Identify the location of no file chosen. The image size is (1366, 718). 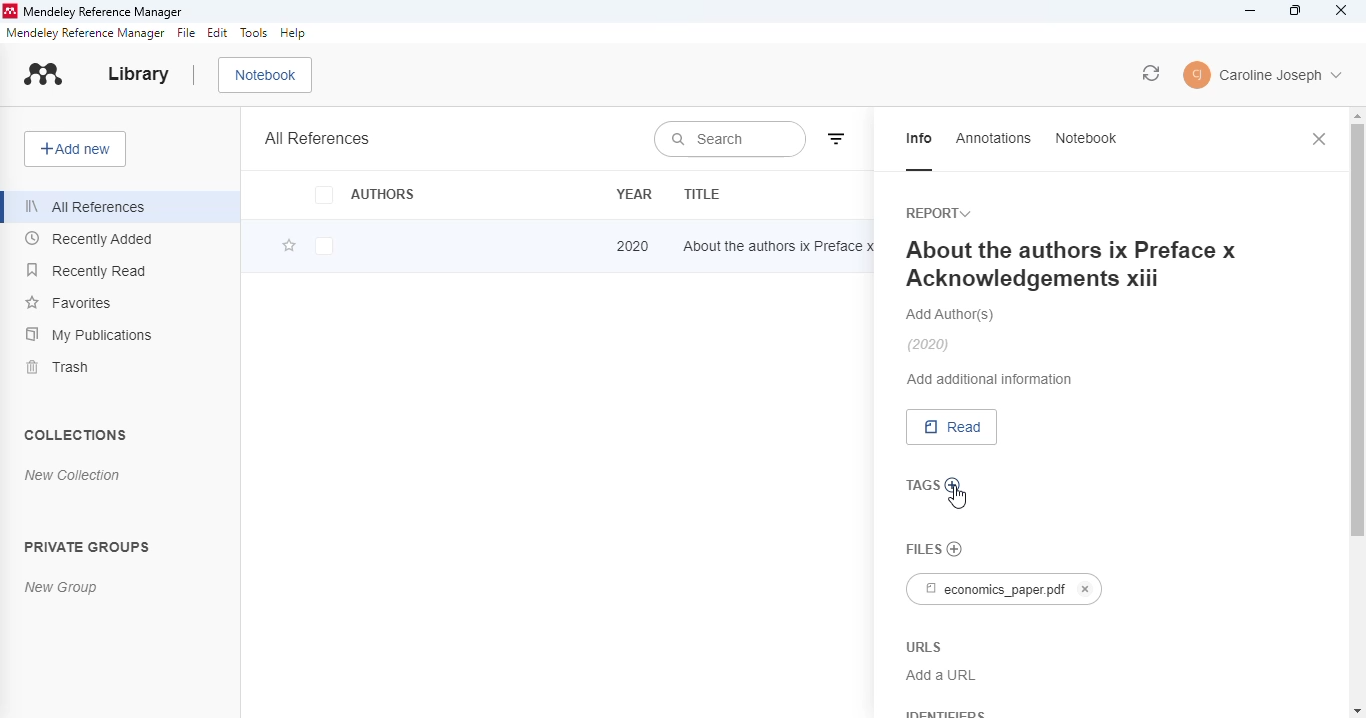
(954, 550).